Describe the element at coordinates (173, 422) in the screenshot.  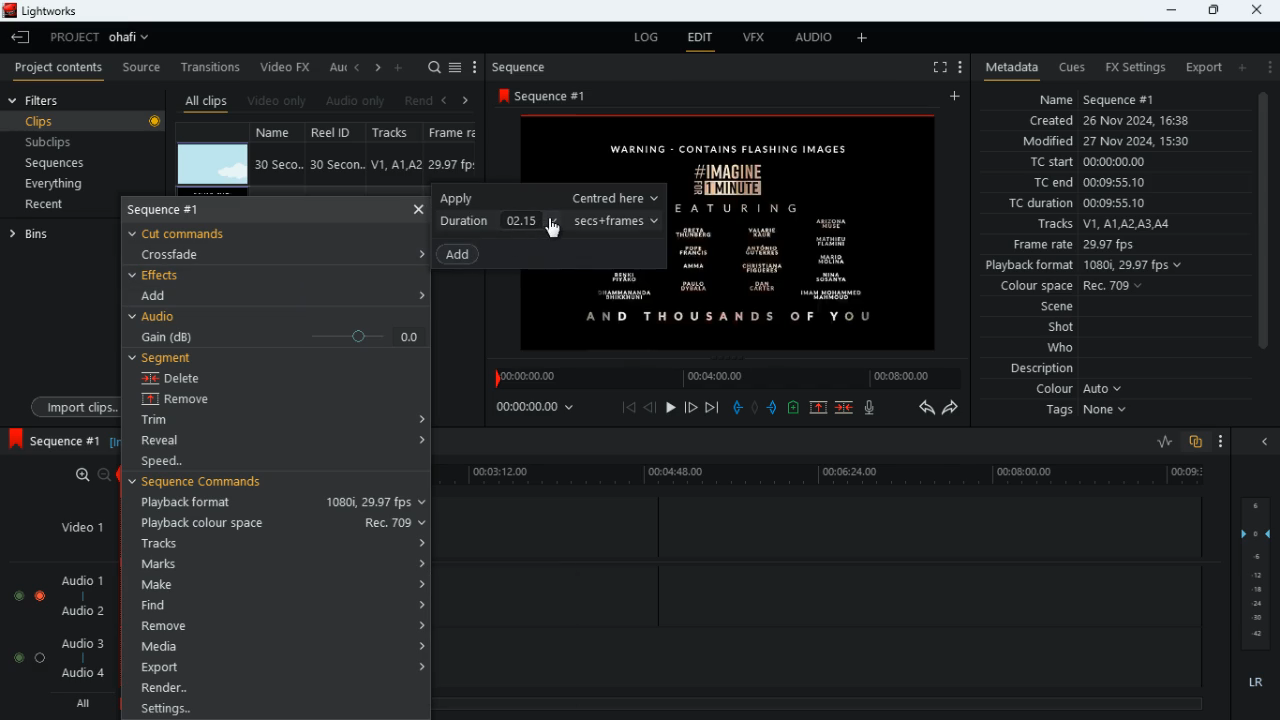
I see `trim` at that location.